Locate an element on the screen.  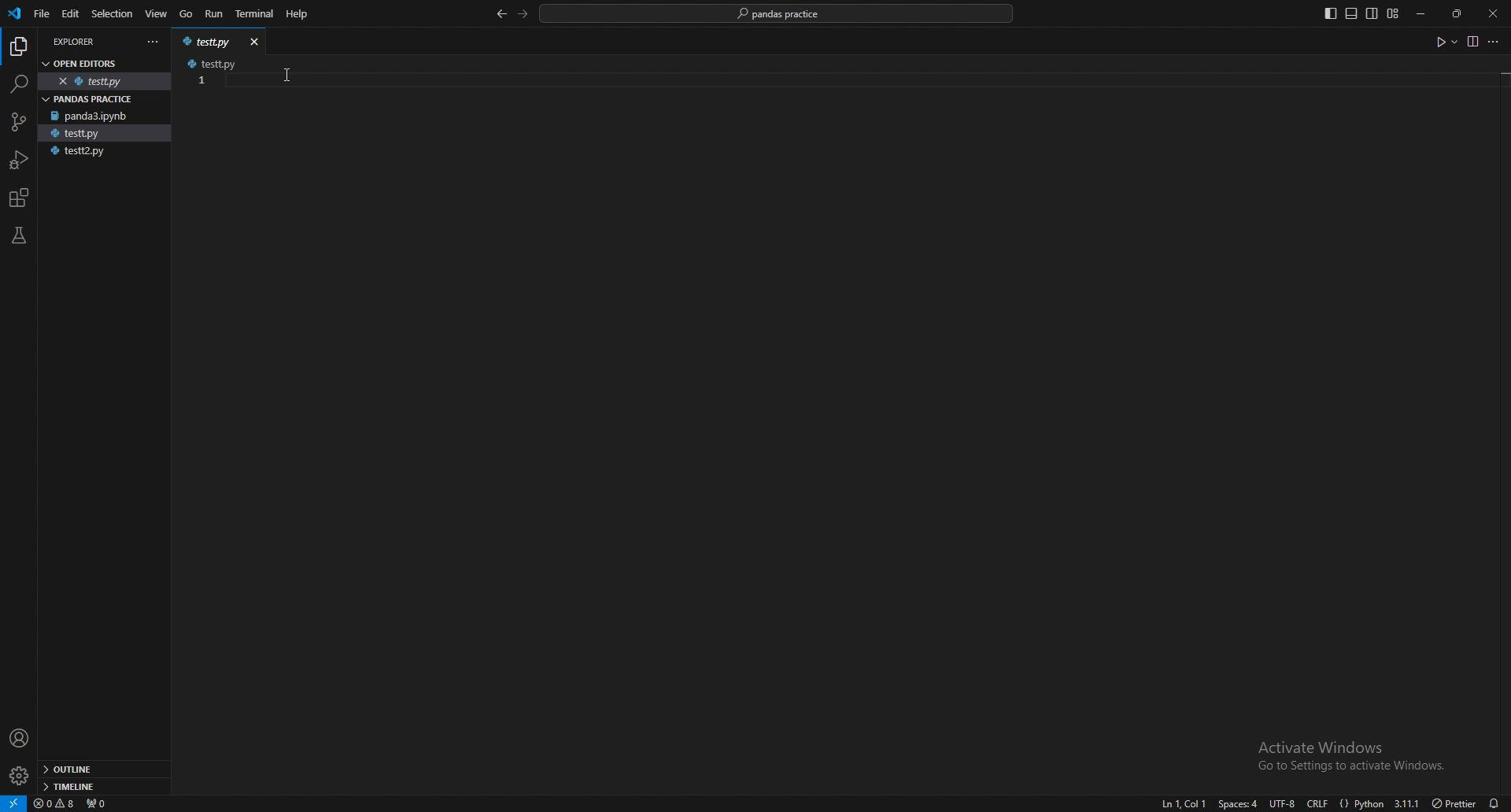
Help is located at coordinates (296, 14).